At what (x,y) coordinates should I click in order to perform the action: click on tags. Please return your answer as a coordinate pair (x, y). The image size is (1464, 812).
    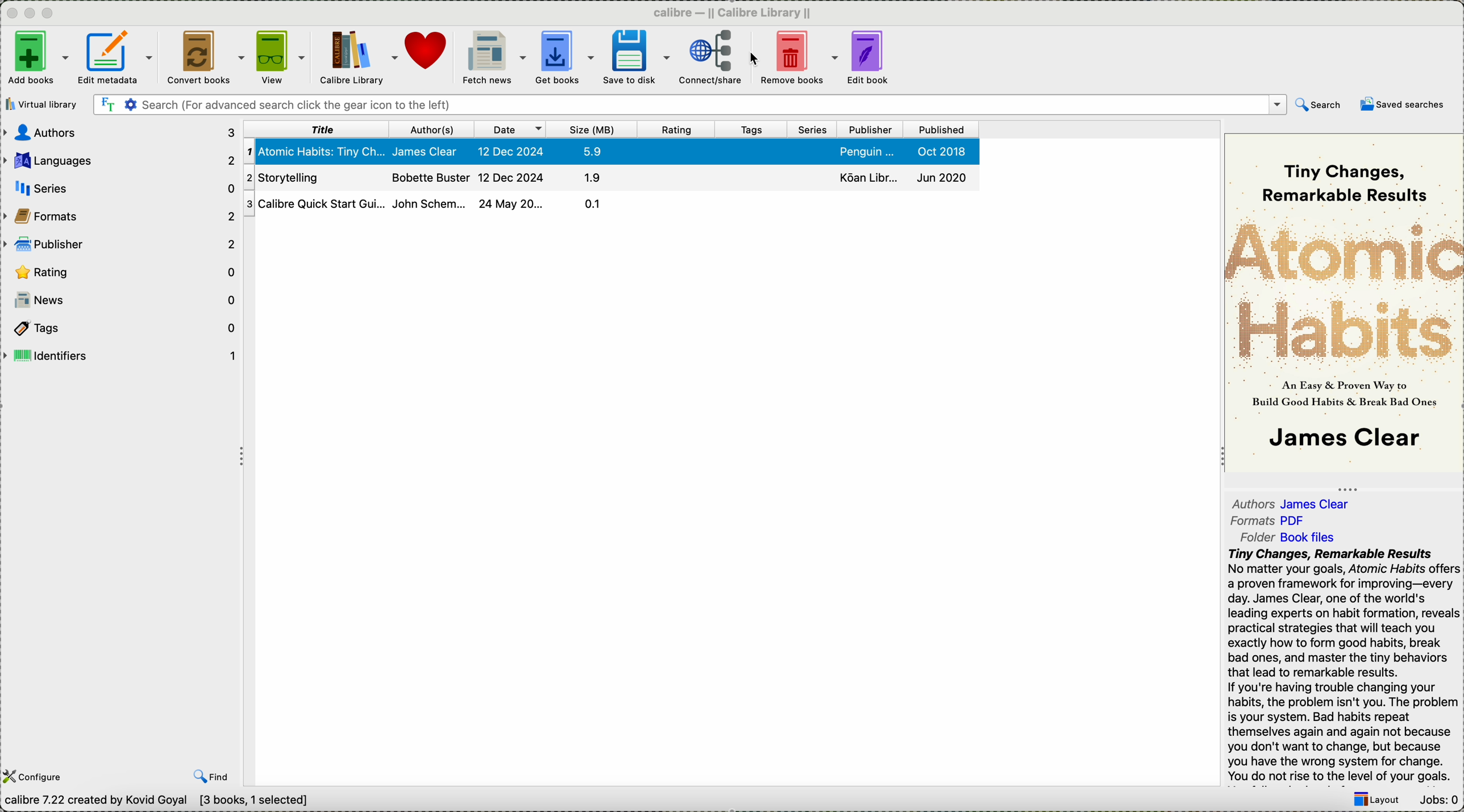
    Looking at the image, I should click on (119, 327).